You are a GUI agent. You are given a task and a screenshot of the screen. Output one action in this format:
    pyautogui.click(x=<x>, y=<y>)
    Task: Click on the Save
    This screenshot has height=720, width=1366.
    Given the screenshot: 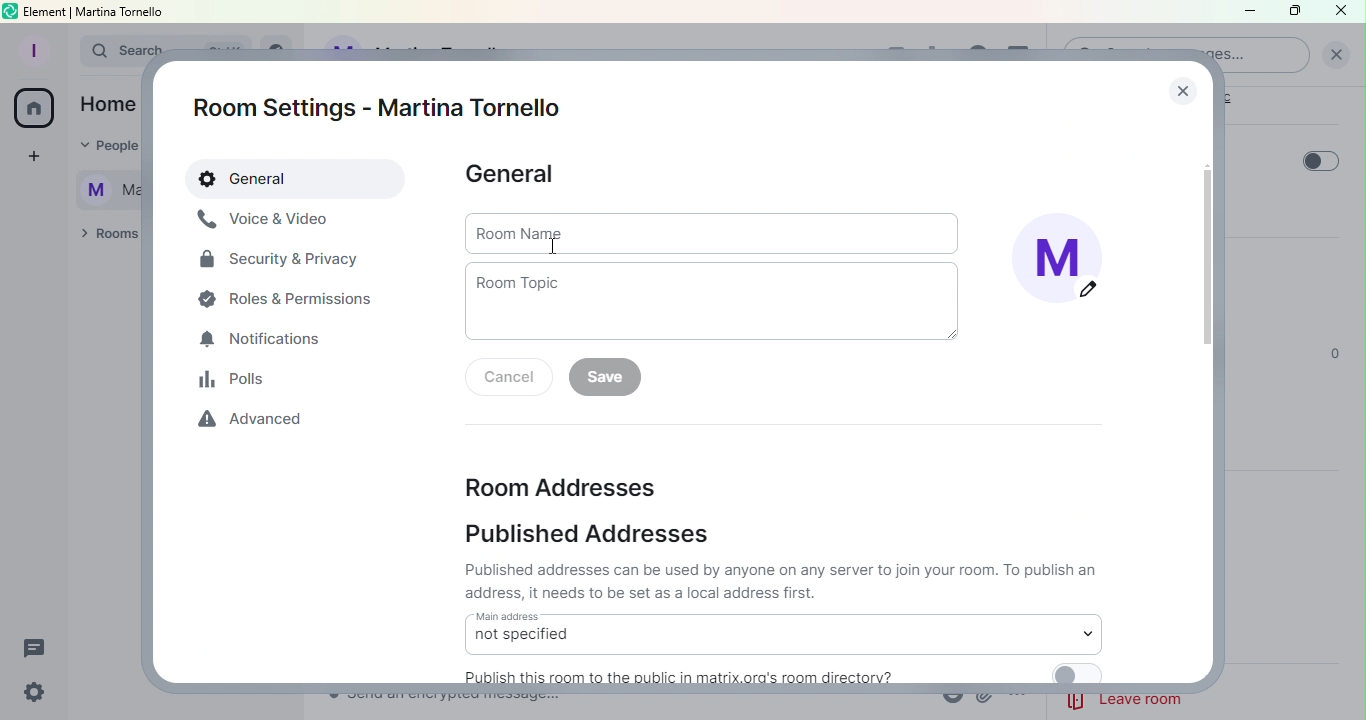 What is the action you would take?
    pyautogui.click(x=620, y=380)
    